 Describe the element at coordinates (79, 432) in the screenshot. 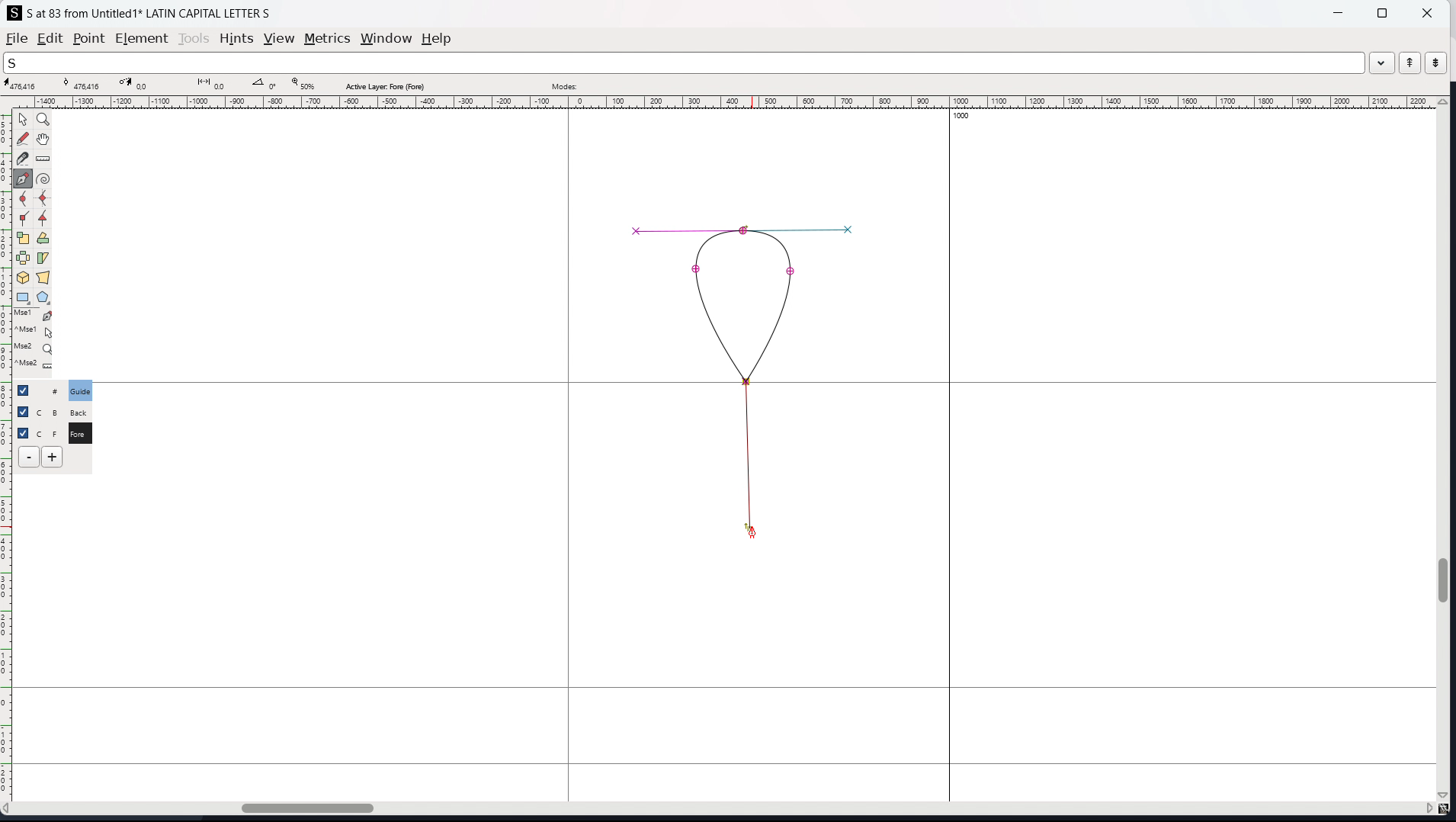

I see `C F Fore` at that location.